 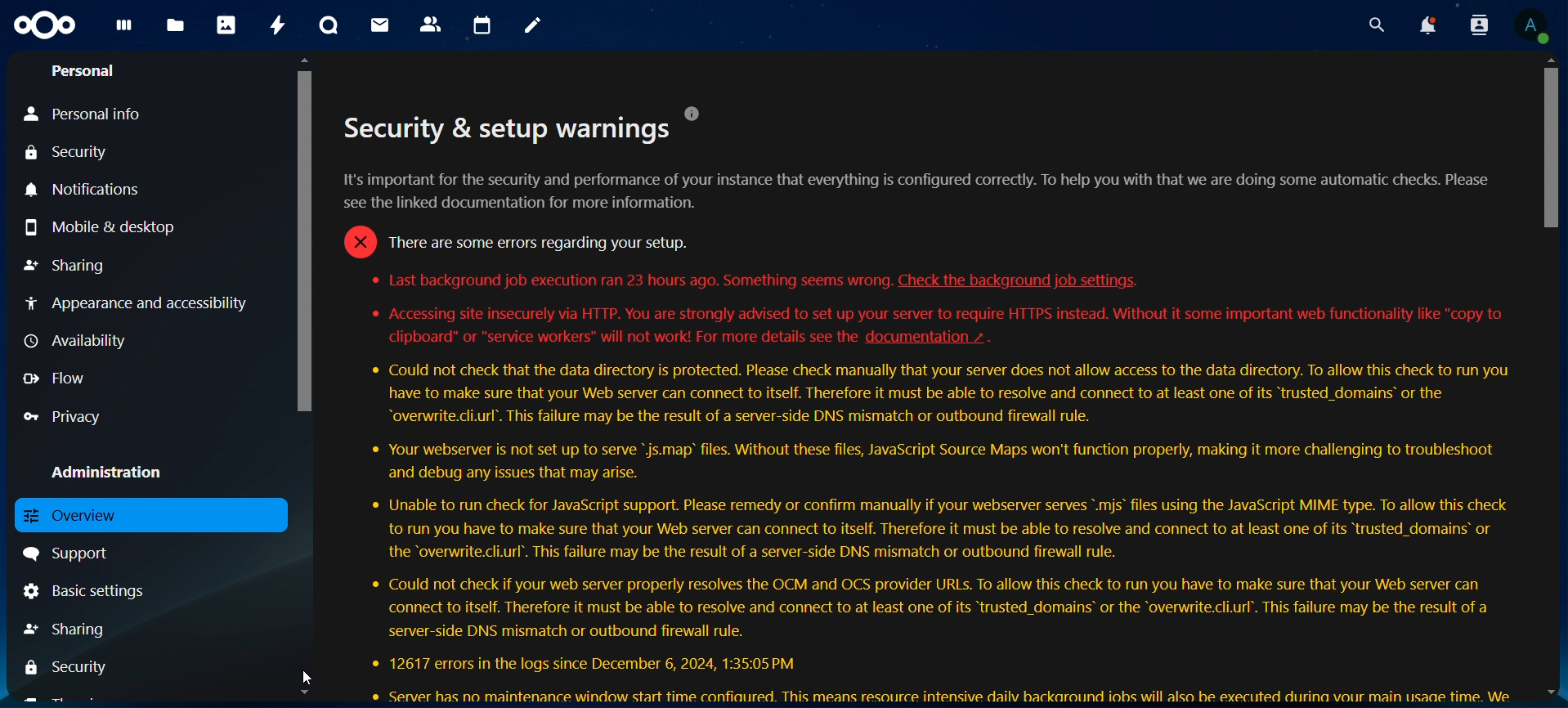 What do you see at coordinates (69, 669) in the screenshot?
I see `security` at bounding box center [69, 669].